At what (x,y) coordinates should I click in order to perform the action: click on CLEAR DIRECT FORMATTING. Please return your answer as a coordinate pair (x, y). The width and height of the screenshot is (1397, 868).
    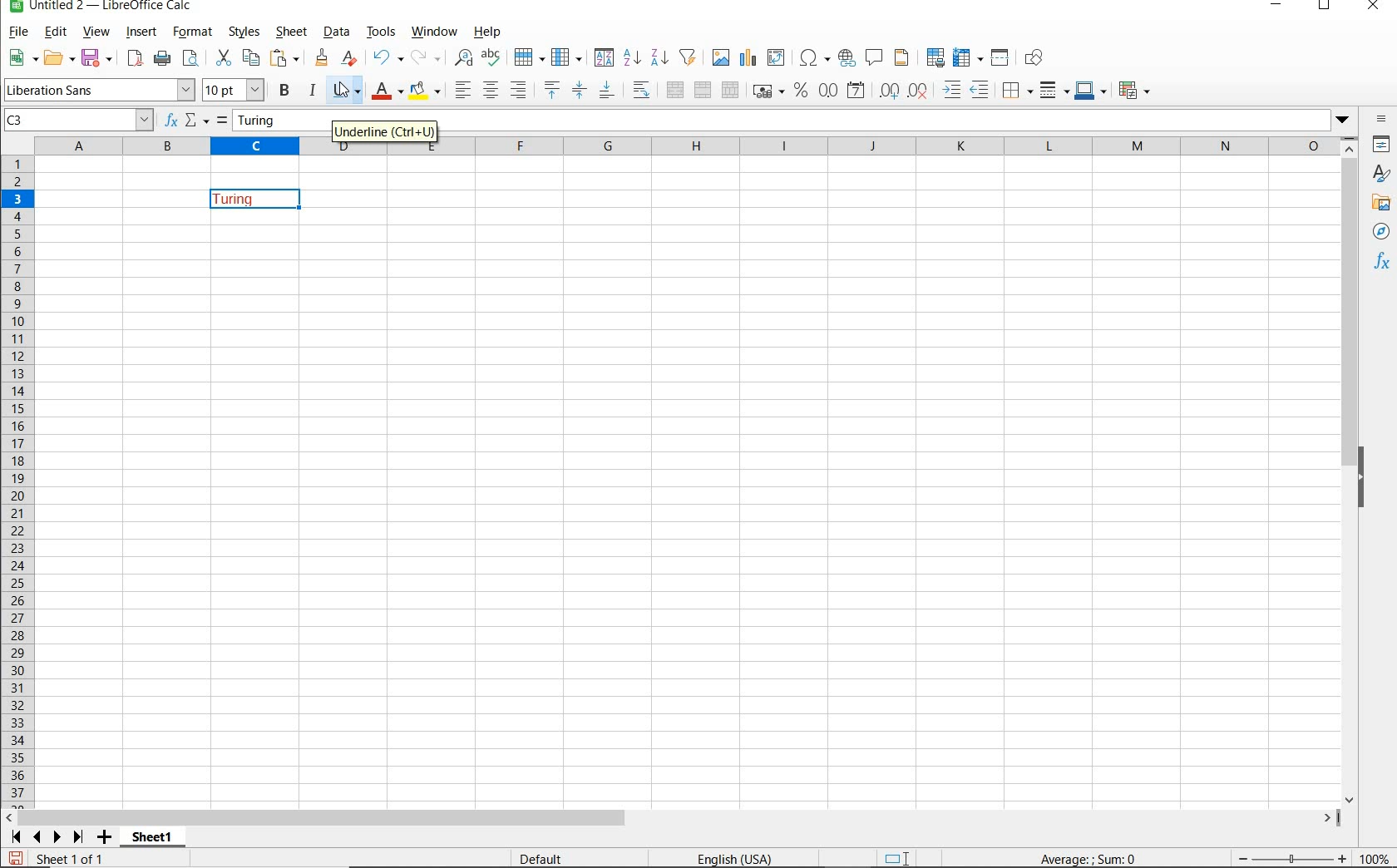
    Looking at the image, I should click on (348, 60).